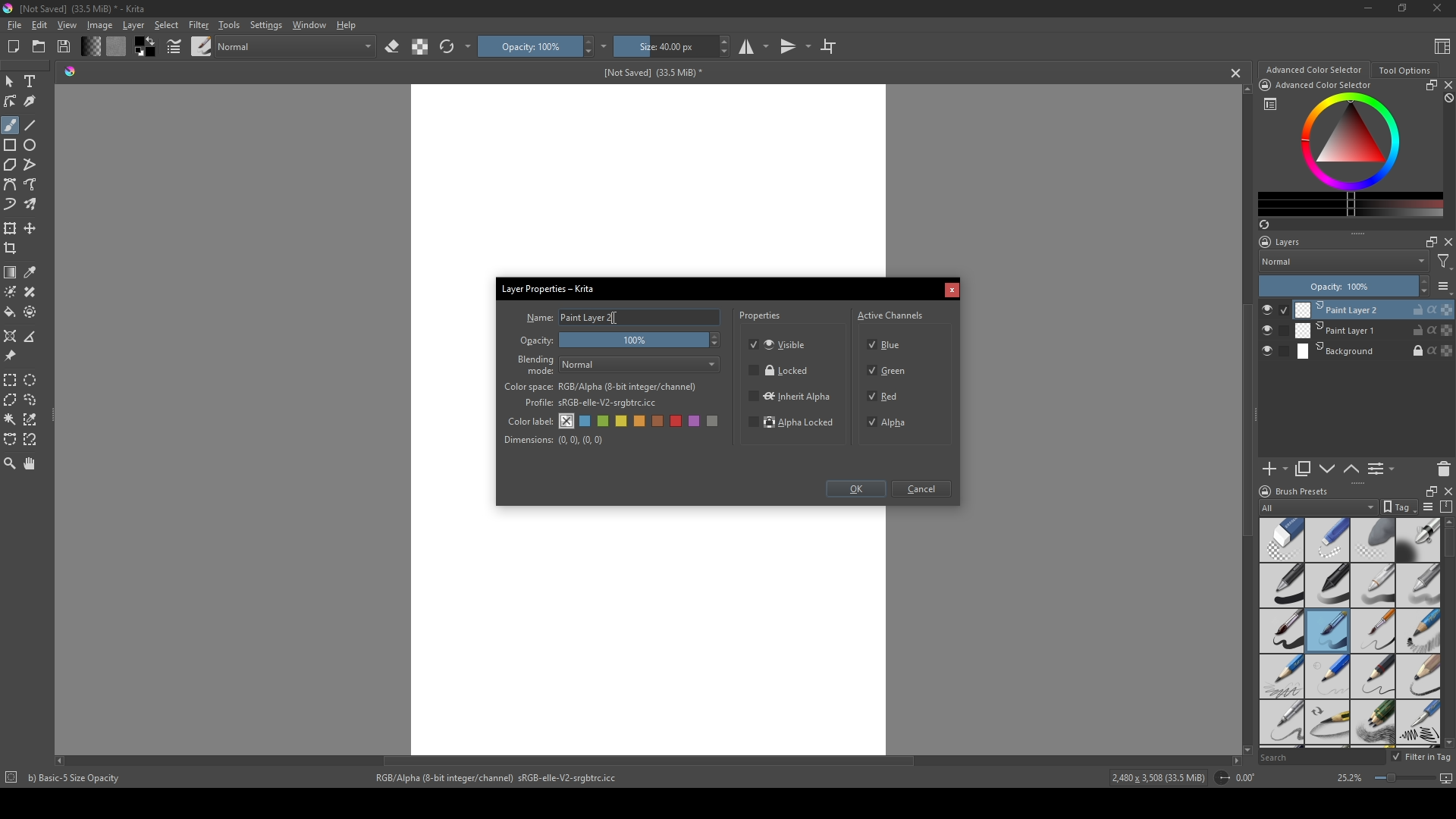 Image resolution: width=1456 pixels, height=819 pixels. Describe the element at coordinates (889, 372) in the screenshot. I see `Green` at that location.